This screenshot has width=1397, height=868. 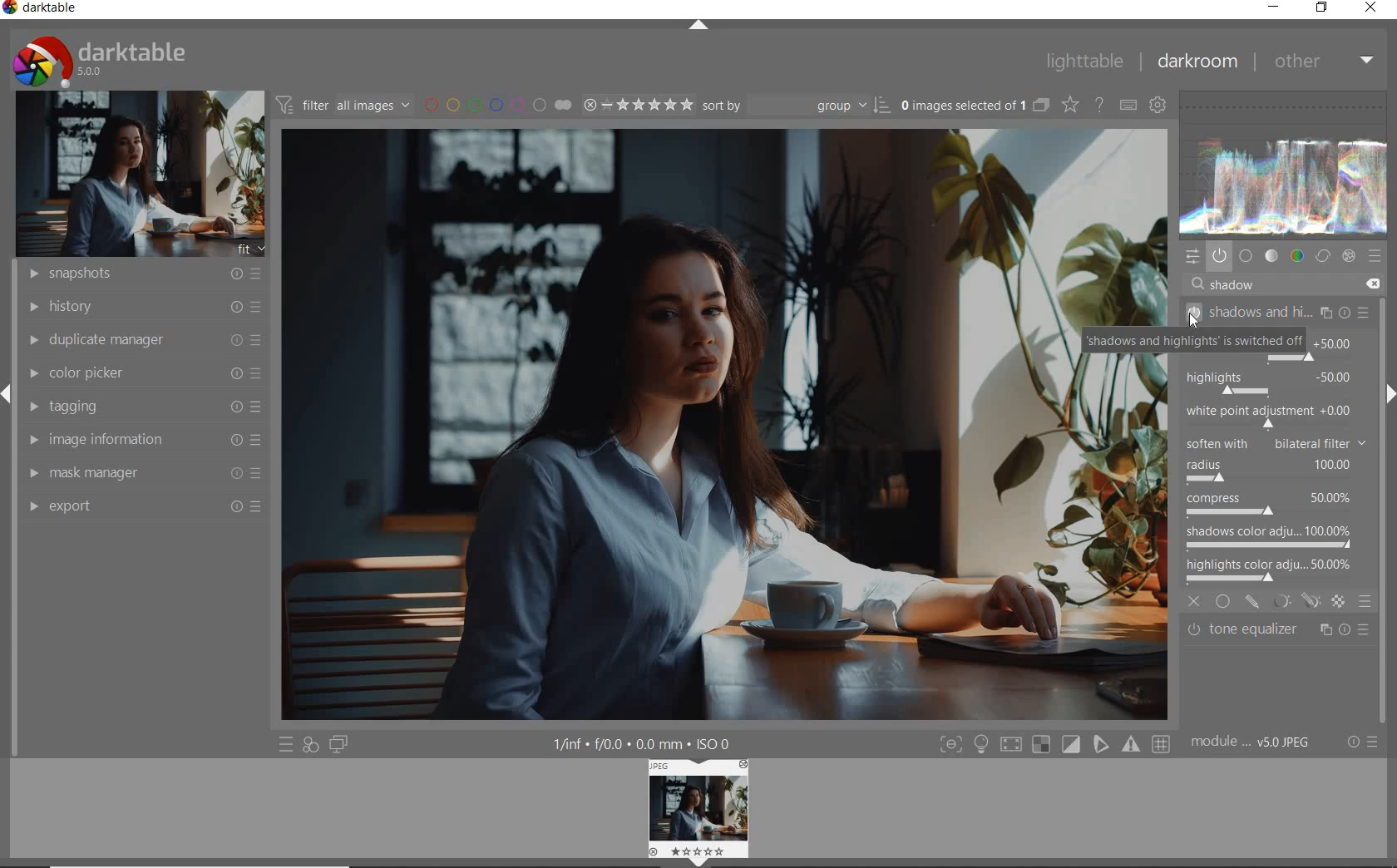 What do you see at coordinates (1323, 61) in the screenshot?
I see `other` at bounding box center [1323, 61].